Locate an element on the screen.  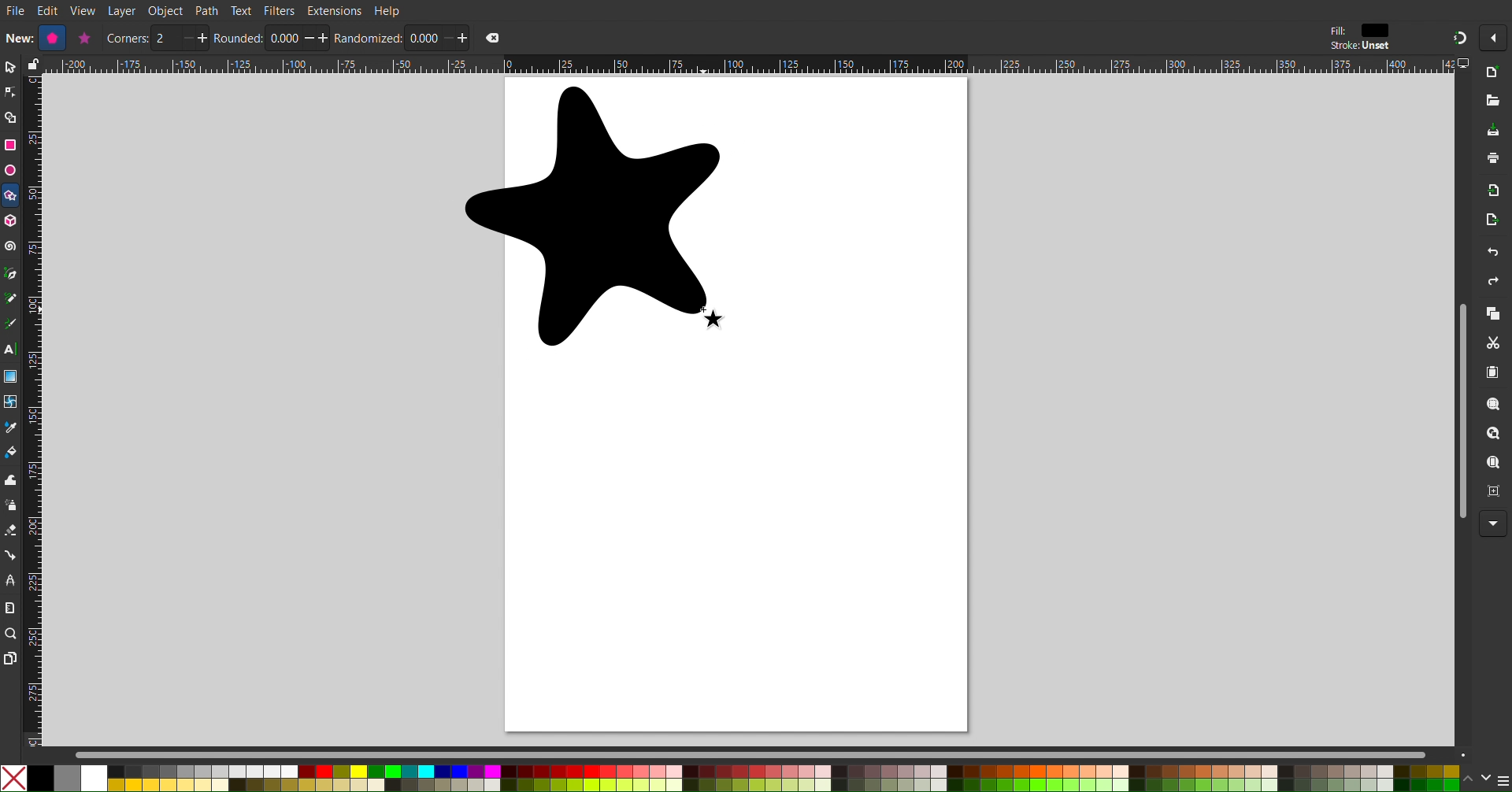
Text is located at coordinates (240, 9).